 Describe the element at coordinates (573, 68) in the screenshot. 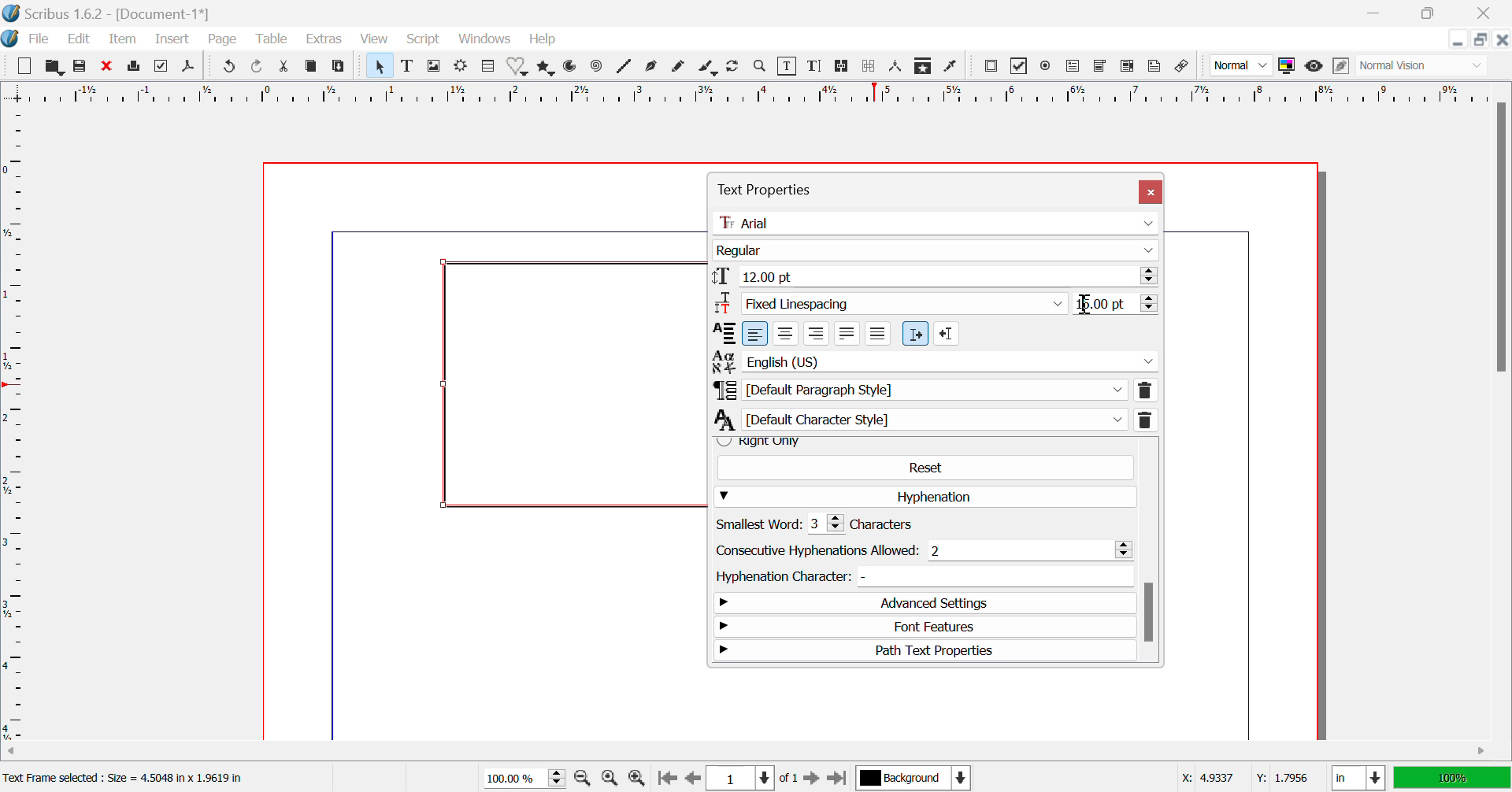

I see `Arcs` at that location.